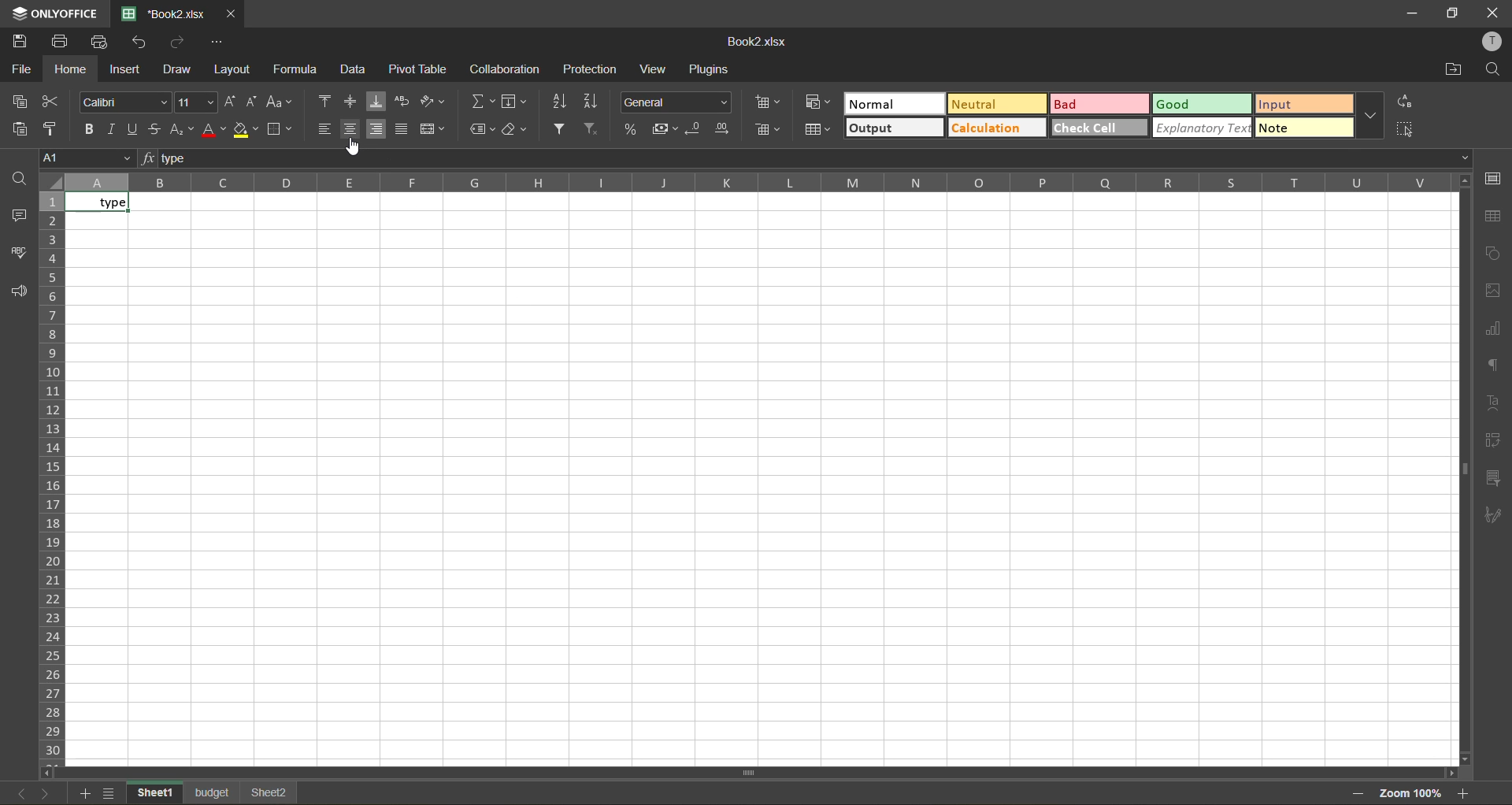 Image resolution: width=1512 pixels, height=805 pixels. What do you see at coordinates (20, 293) in the screenshot?
I see `feedback` at bounding box center [20, 293].